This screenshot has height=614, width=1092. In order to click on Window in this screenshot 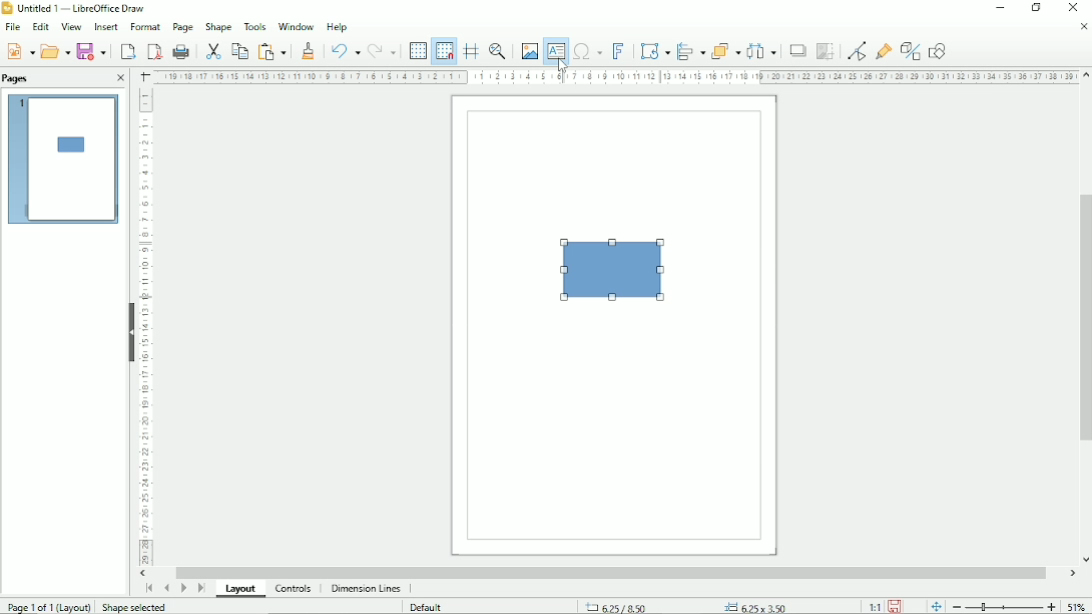, I will do `click(296, 26)`.